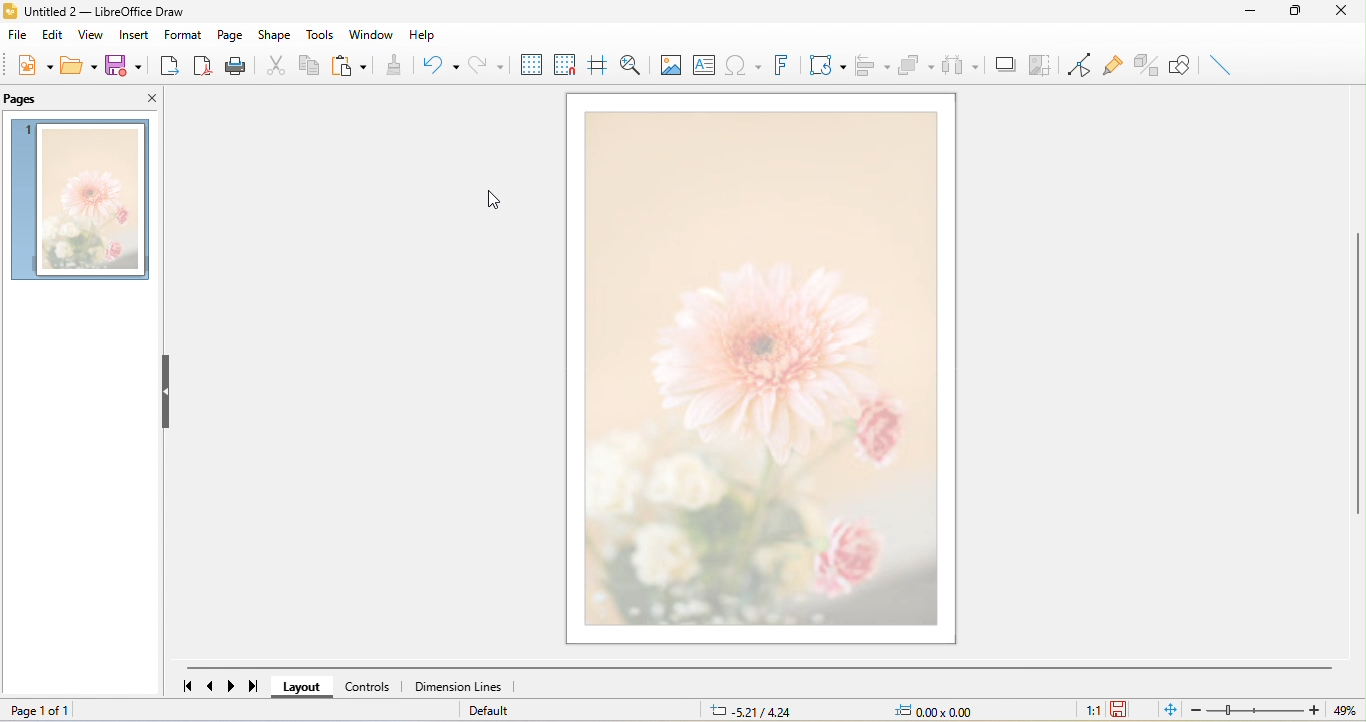 The image size is (1366, 722). What do you see at coordinates (914, 65) in the screenshot?
I see `arrange` at bounding box center [914, 65].